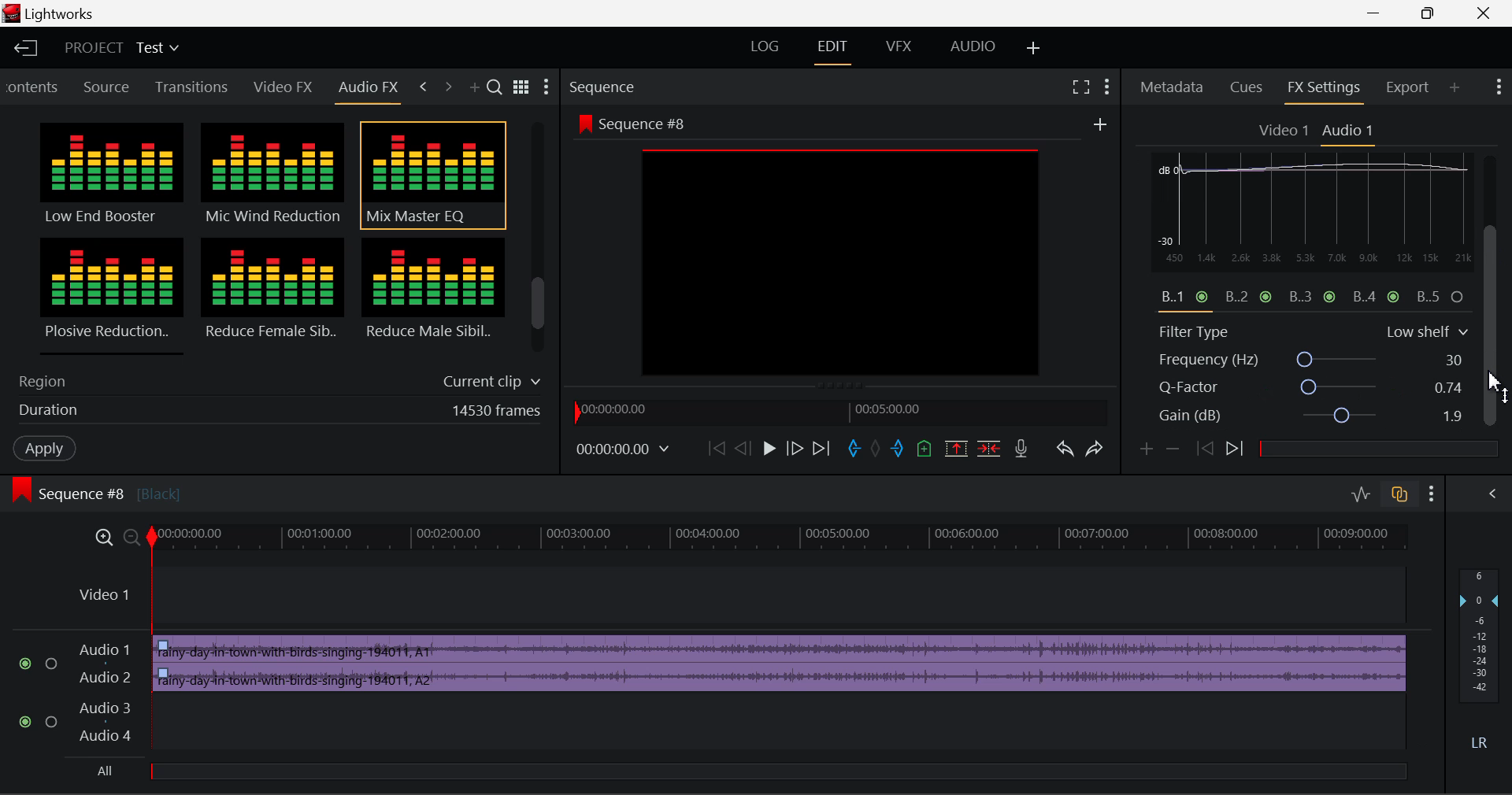 This screenshot has width=1512, height=795. I want to click on Audio FX , so click(369, 87).